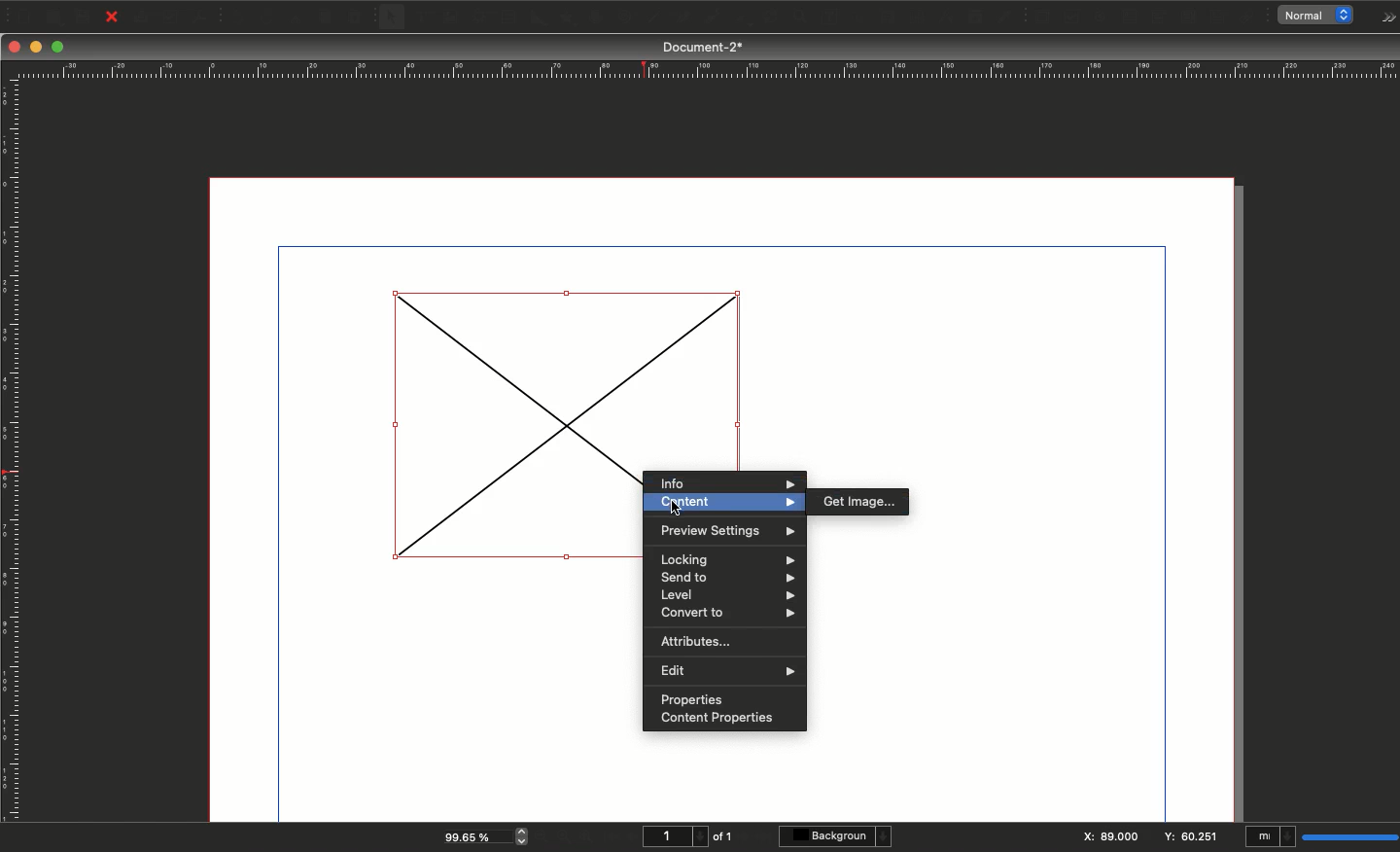 Image resolution: width=1400 pixels, height=852 pixels. Describe the element at coordinates (773, 19) in the screenshot. I see `Zoom in or out` at that location.